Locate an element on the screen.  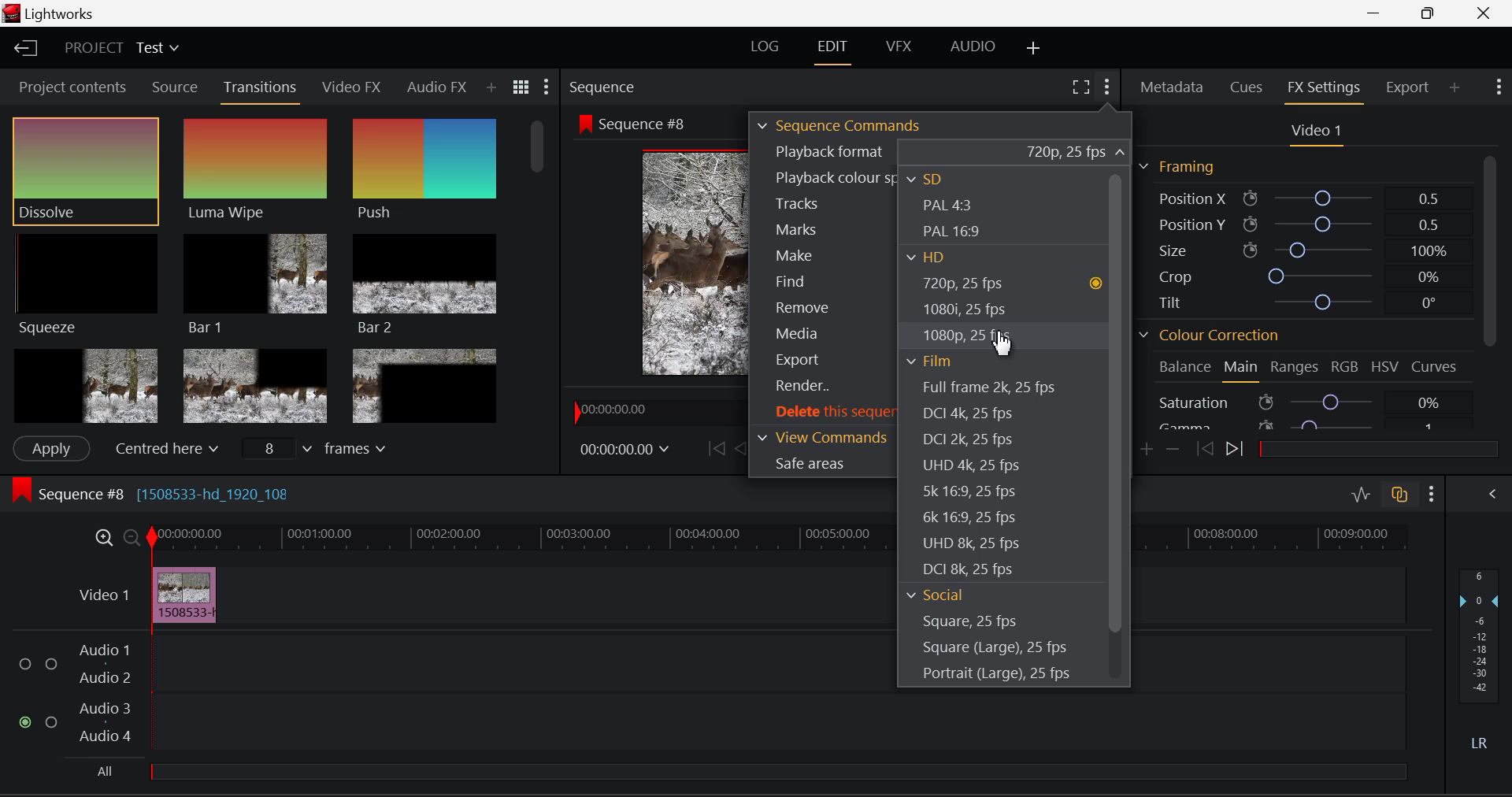
Lightworks is located at coordinates (54, 13).